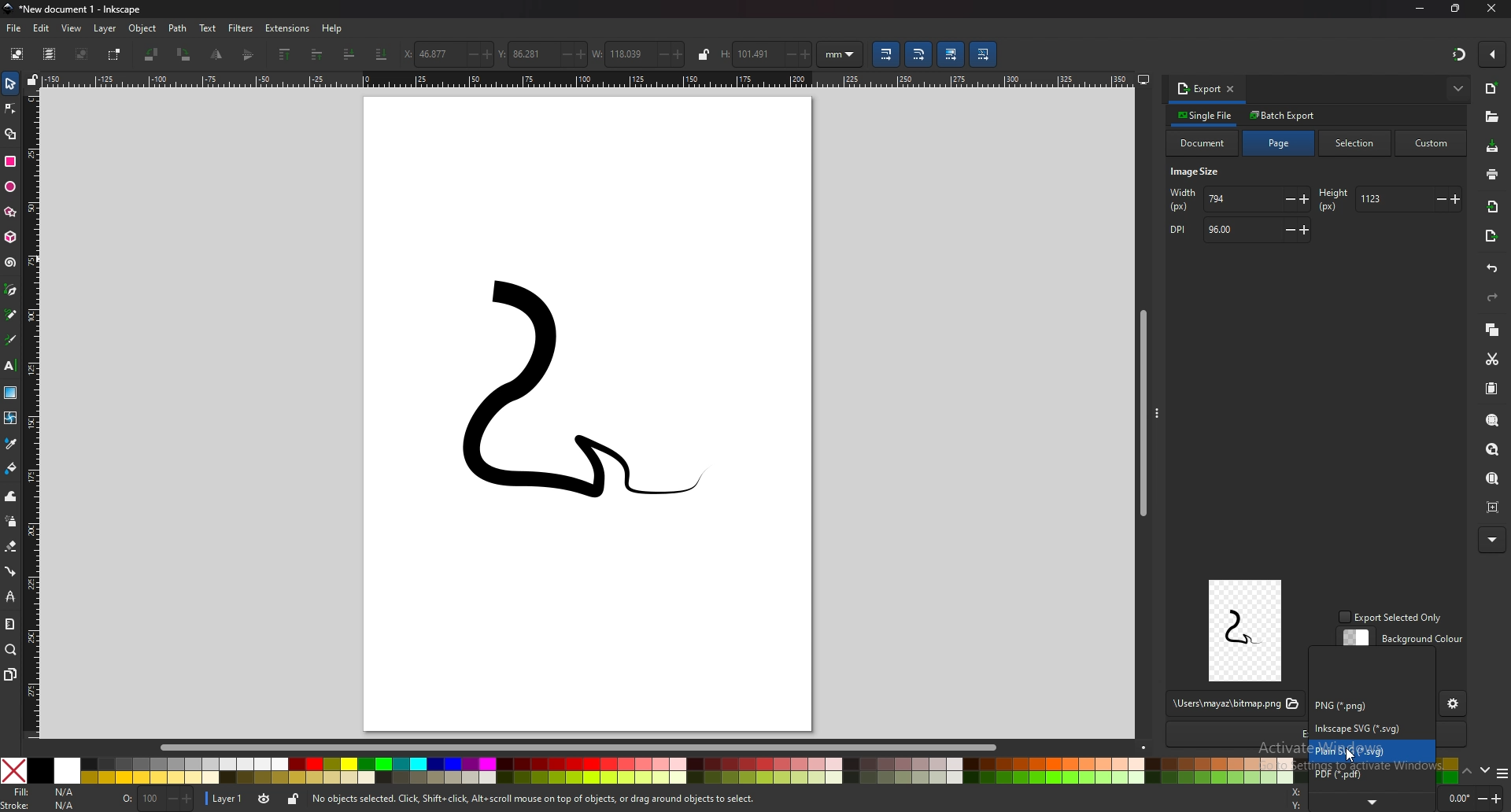 The width and height of the screenshot is (1511, 812). What do you see at coordinates (11, 443) in the screenshot?
I see `dropper` at bounding box center [11, 443].